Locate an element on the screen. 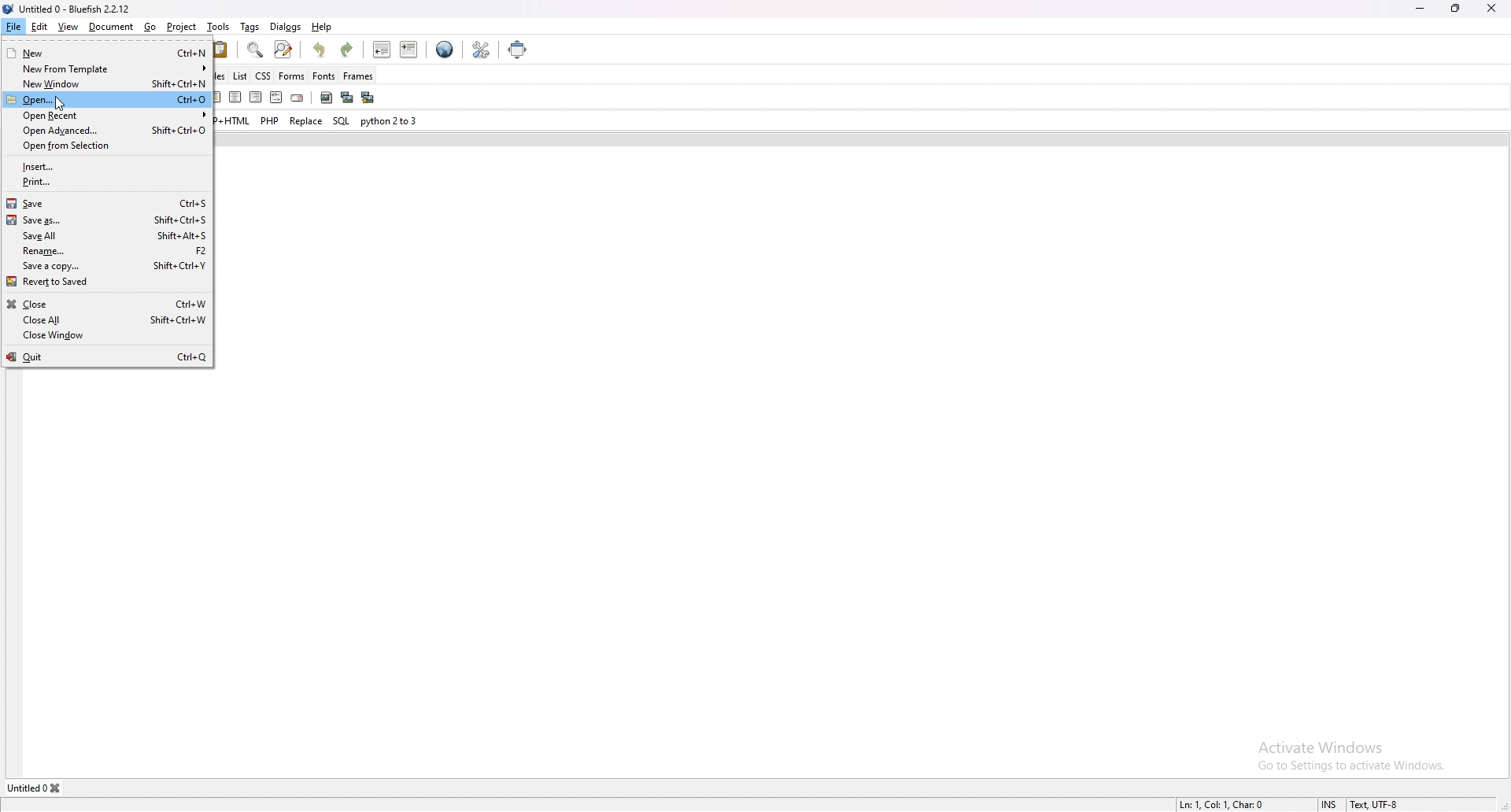 The image size is (1511, 812). minimize is located at coordinates (1422, 9).